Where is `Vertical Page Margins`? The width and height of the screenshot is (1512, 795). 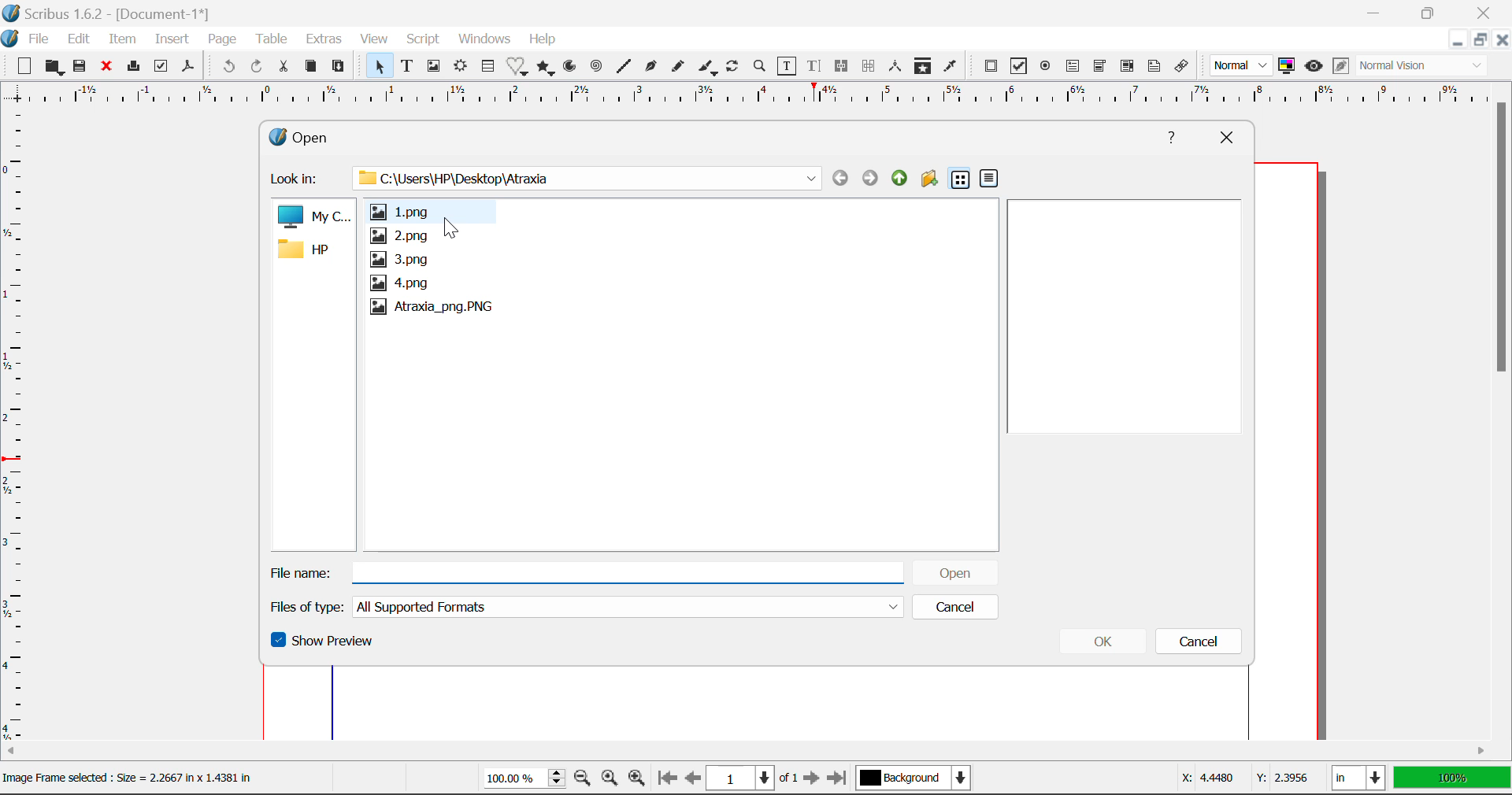
Vertical Page Margins is located at coordinates (743, 97).